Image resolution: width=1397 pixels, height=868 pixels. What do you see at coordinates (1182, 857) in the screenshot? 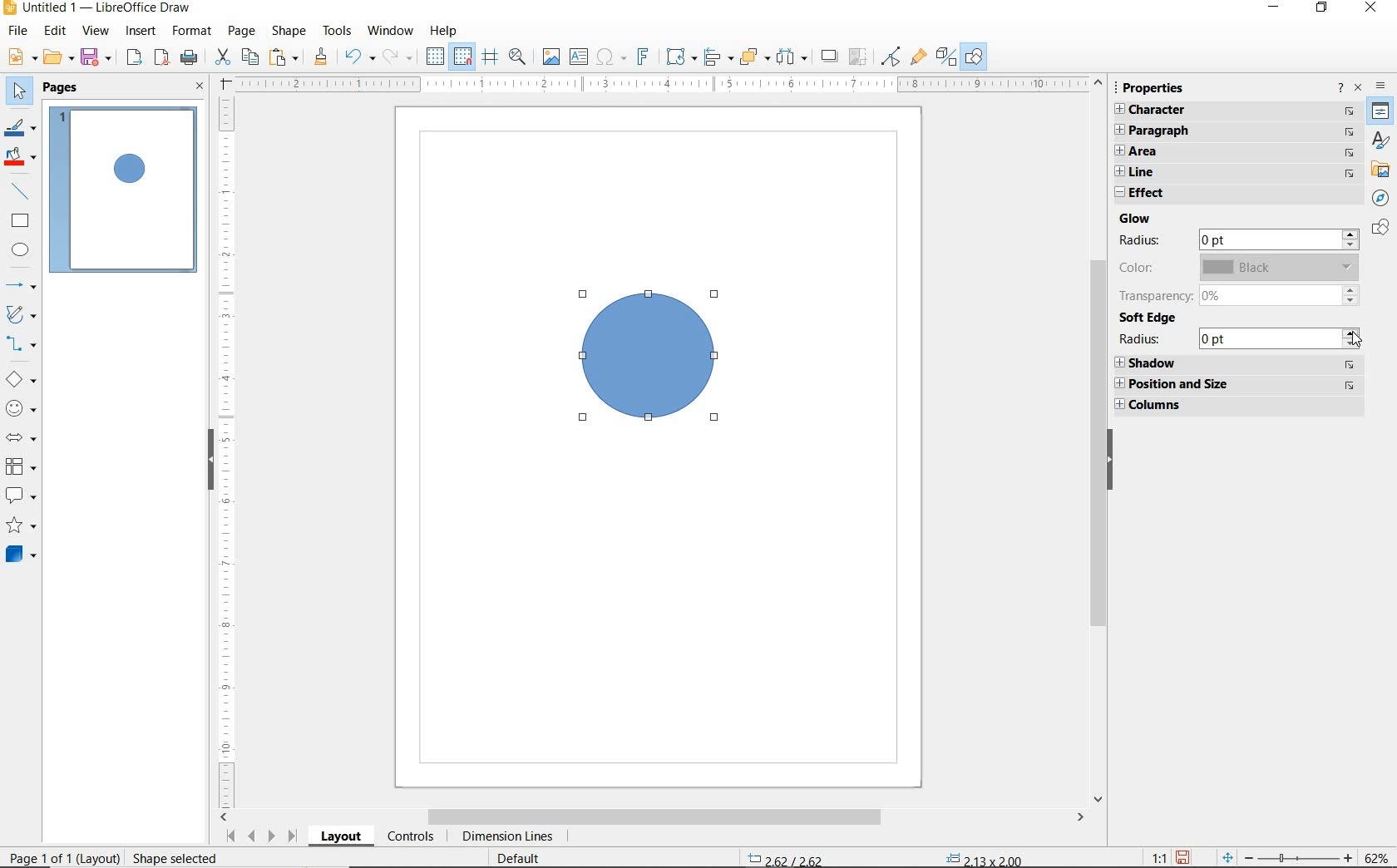
I see `Save` at bounding box center [1182, 857].